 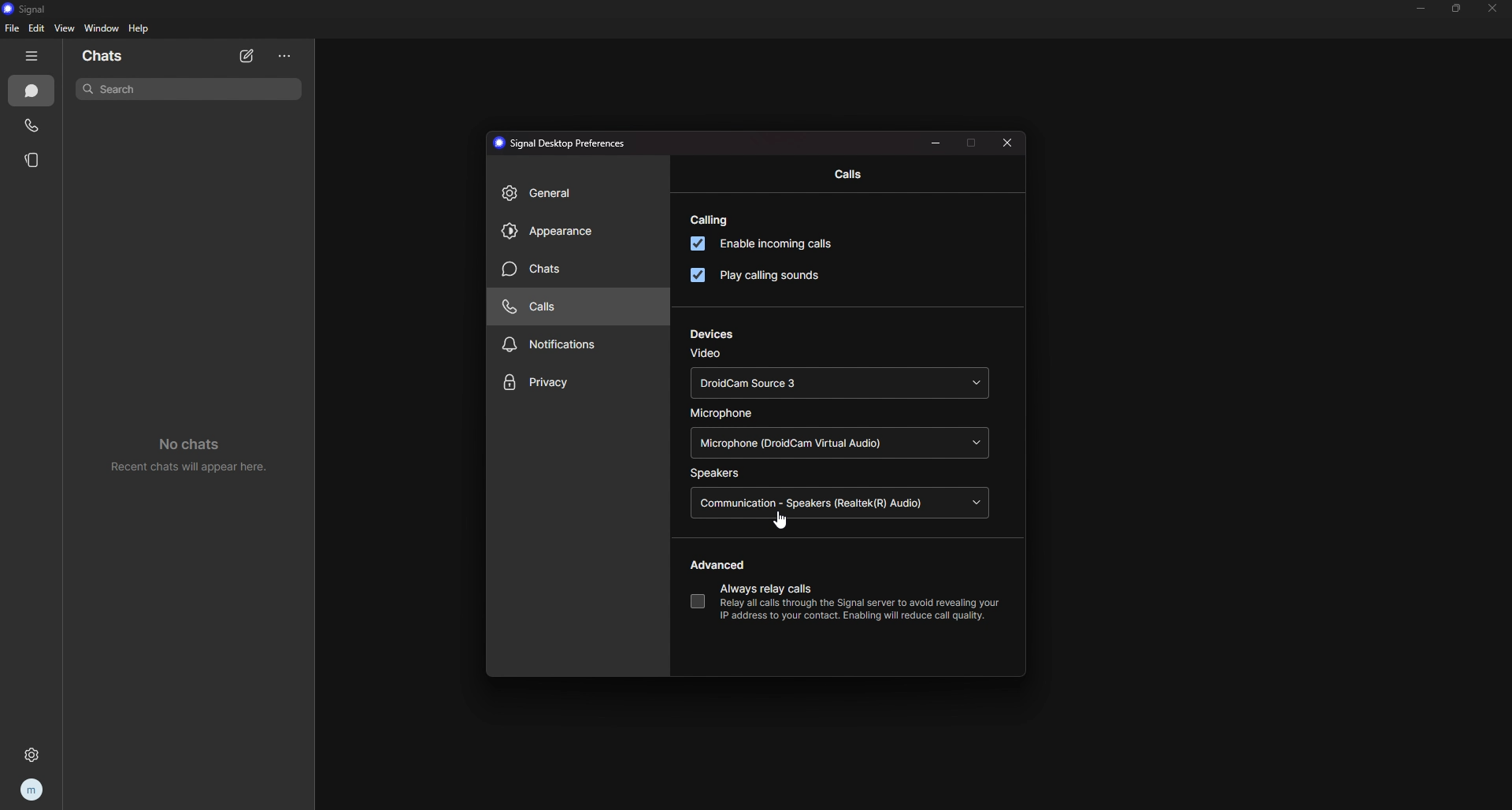 I want to click on microphone source, so click(x=842, y=441).